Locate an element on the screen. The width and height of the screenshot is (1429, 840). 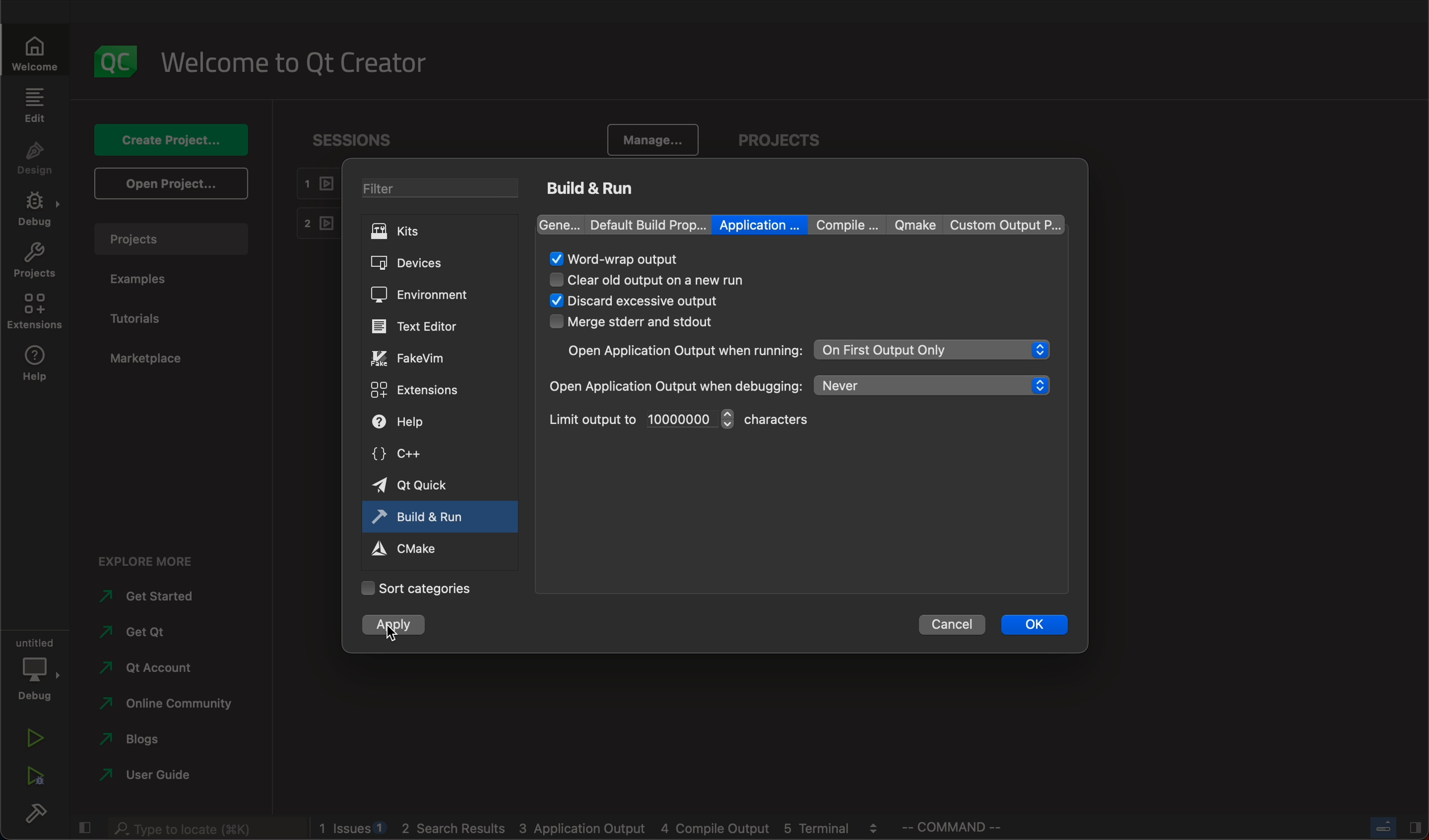
cle3ar old output is located at coordinates (673, 280).